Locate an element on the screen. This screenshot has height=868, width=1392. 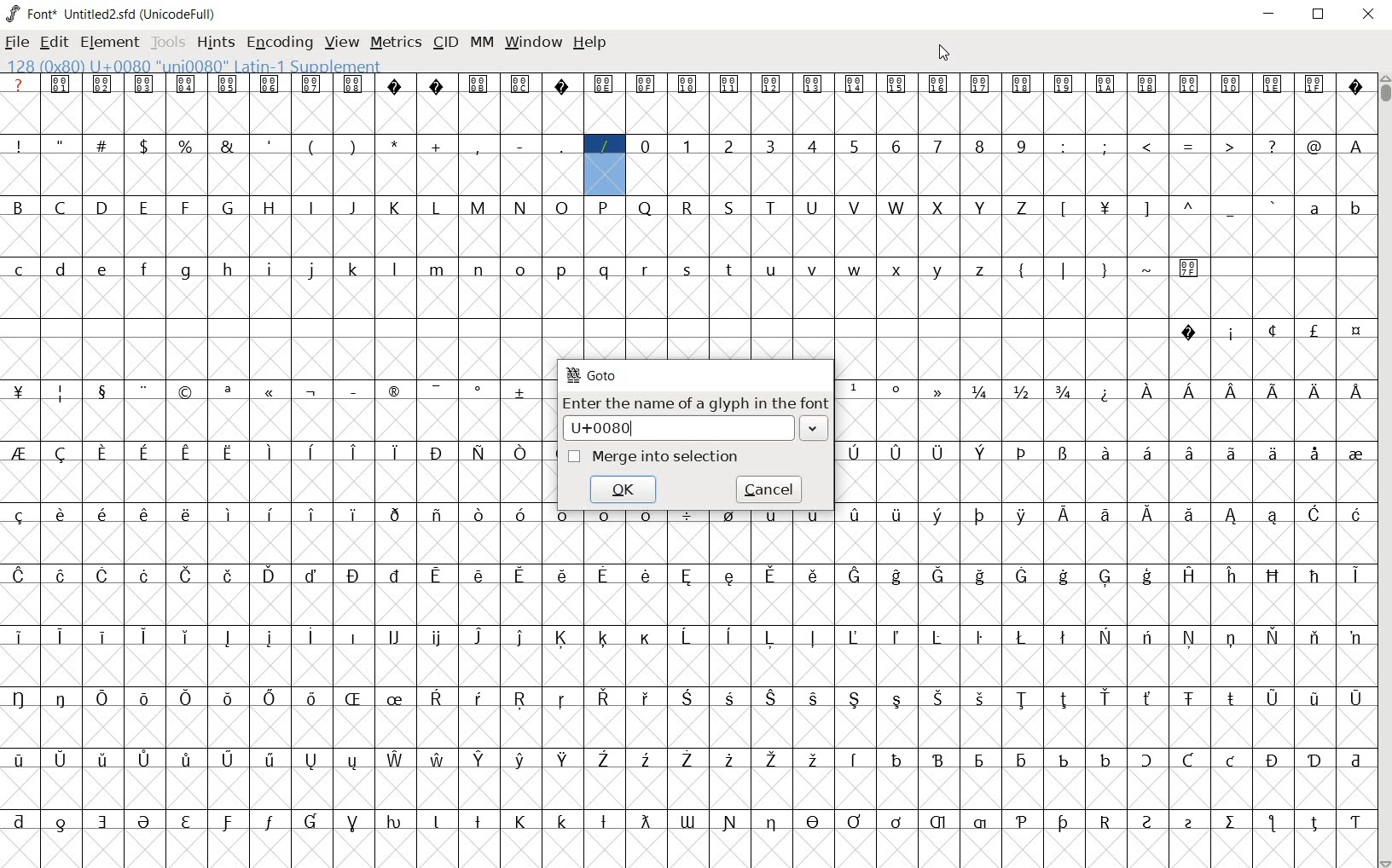
glyph is located at coordinates (1064, 454).